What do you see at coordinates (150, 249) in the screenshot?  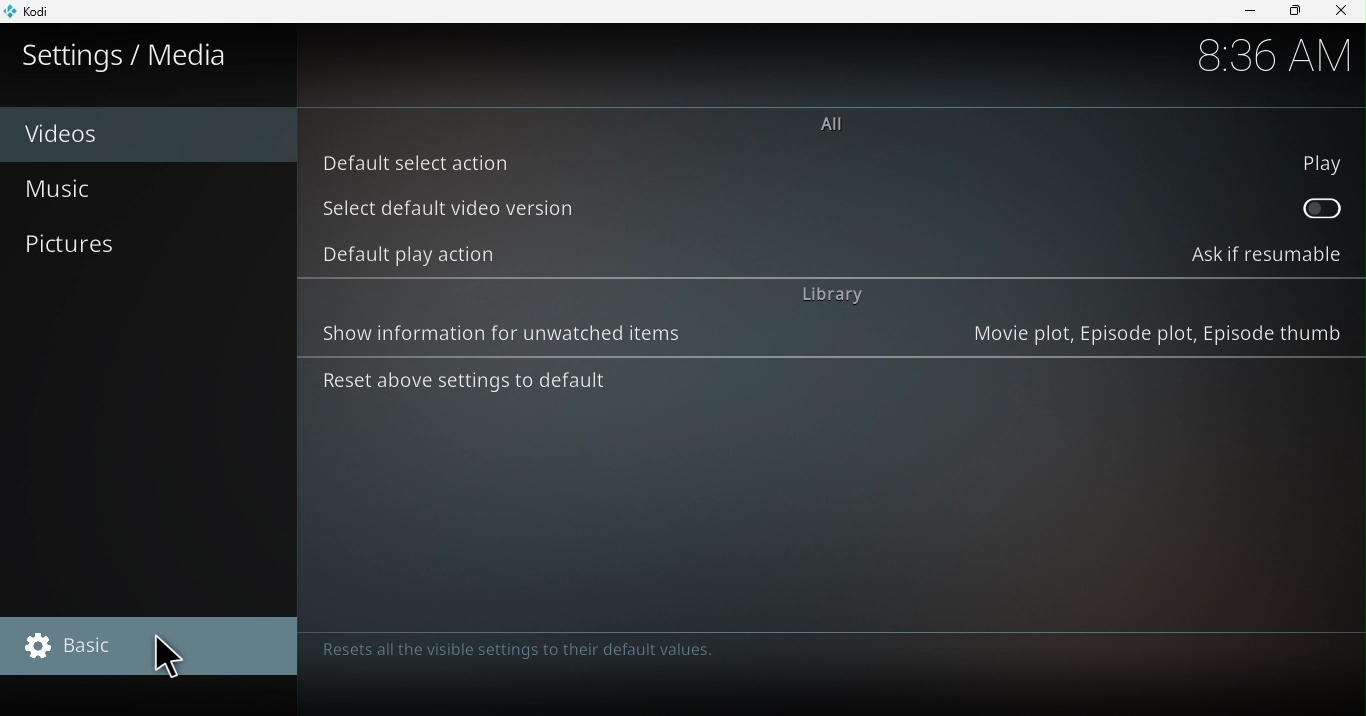 I see `Pictures` at bounding box center [150, 249].